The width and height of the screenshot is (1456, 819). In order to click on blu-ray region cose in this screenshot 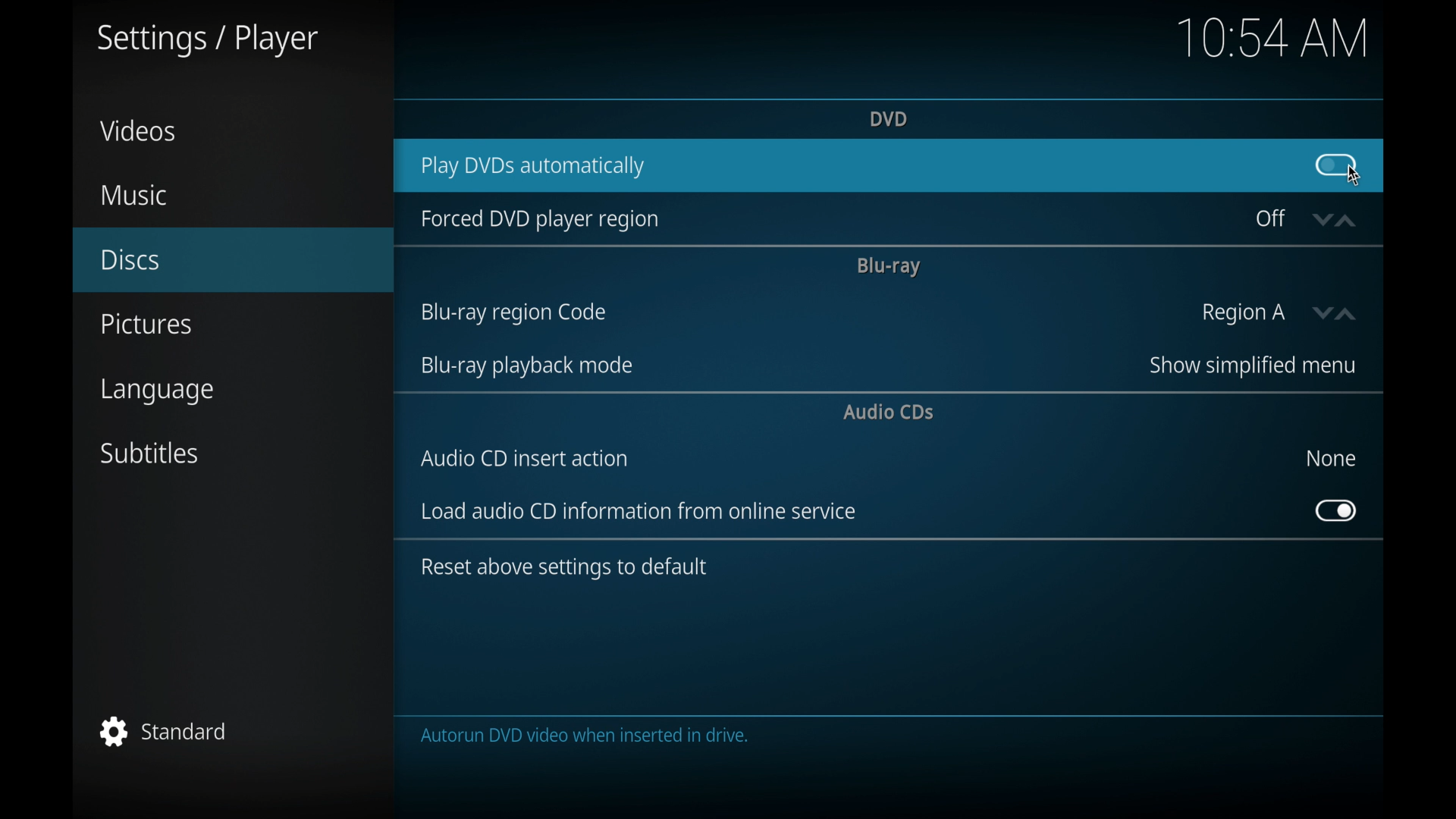, I will do `click(513, 313)`.